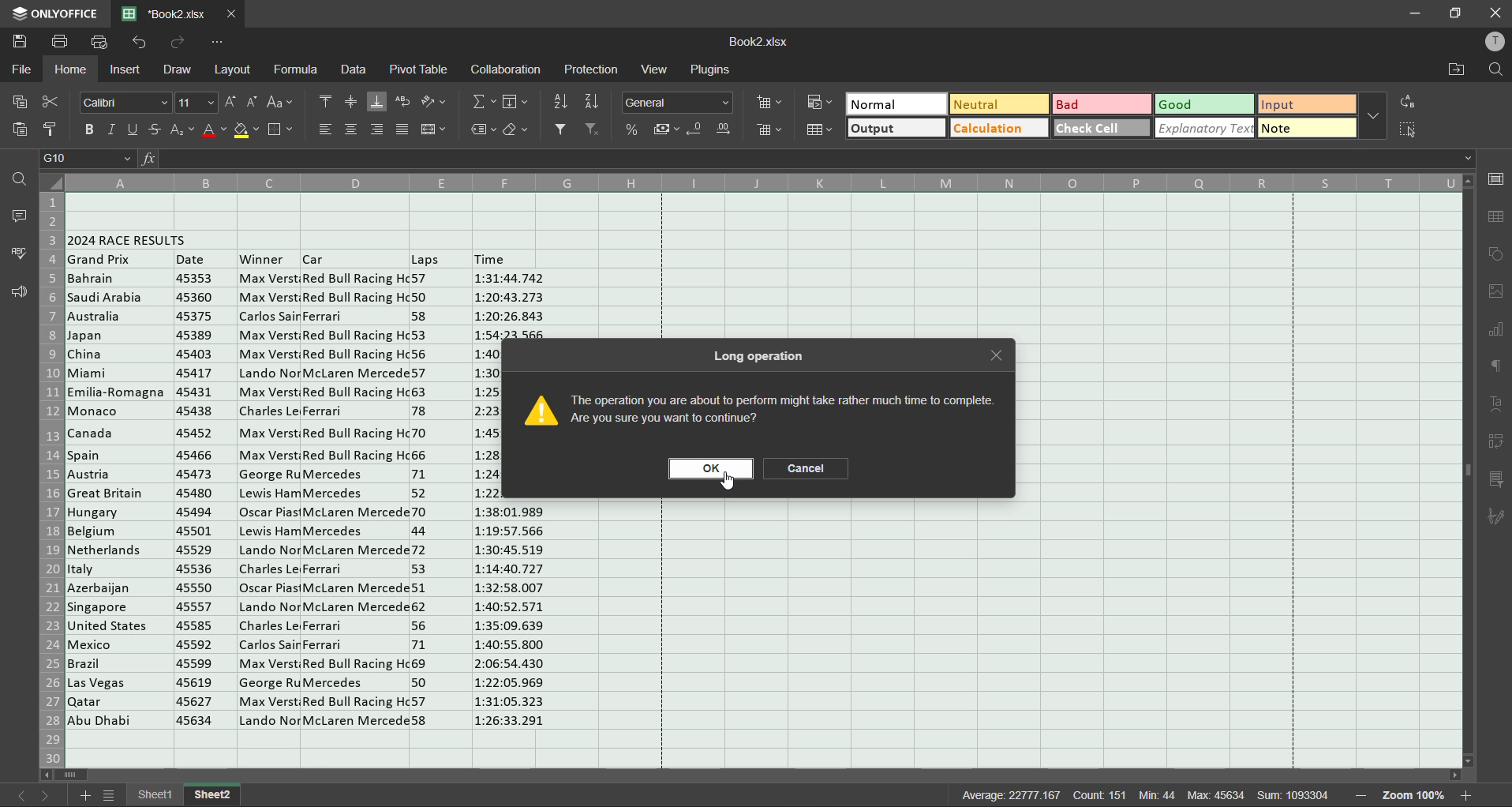 This screenshot has height=807, width=1512. What do you see at coordinates (1102, 794) in the screenshot?
I see `count` at bounding box center [1102, 794].